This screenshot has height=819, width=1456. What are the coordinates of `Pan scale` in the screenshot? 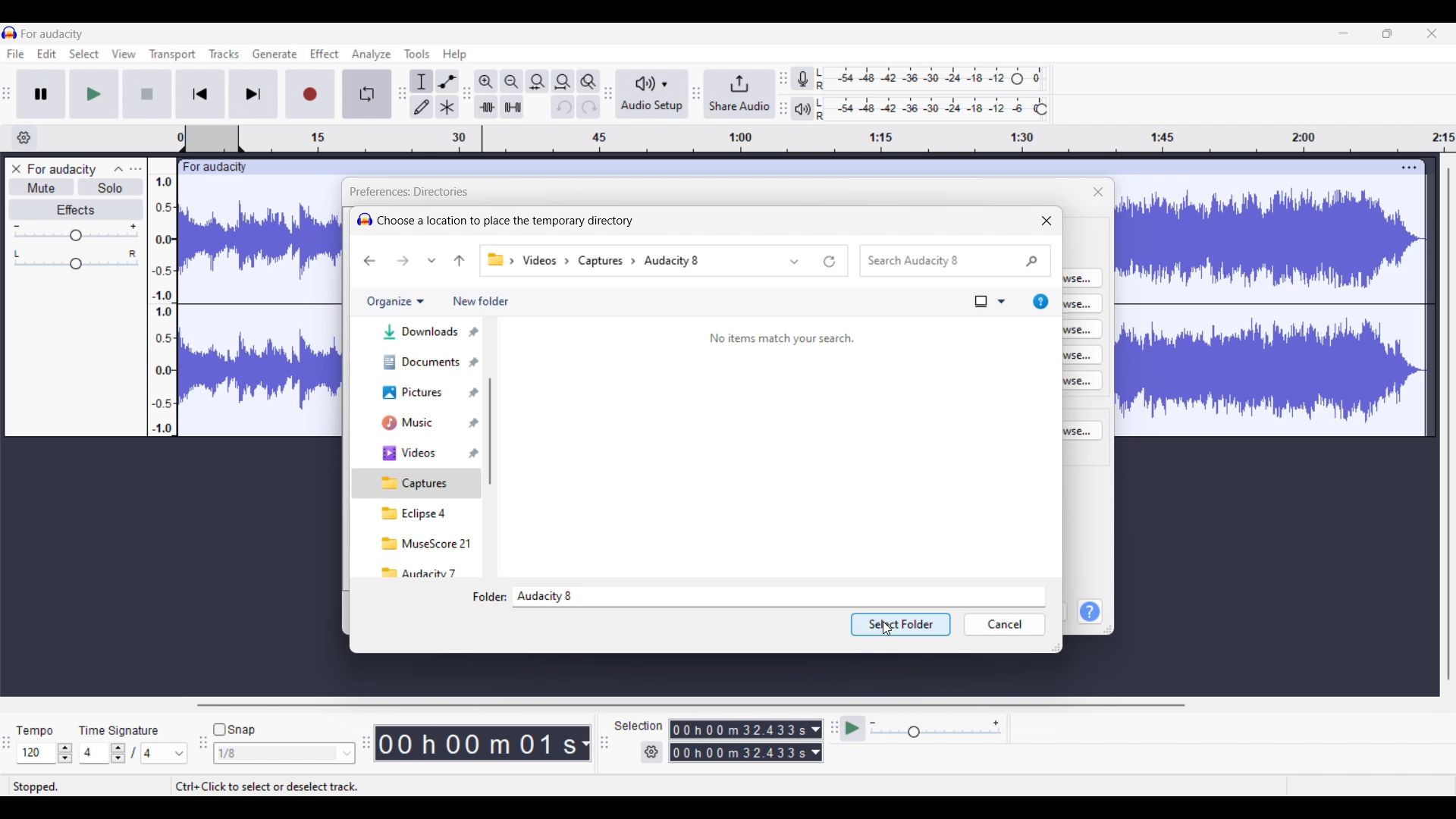 It's located at (76, 260).